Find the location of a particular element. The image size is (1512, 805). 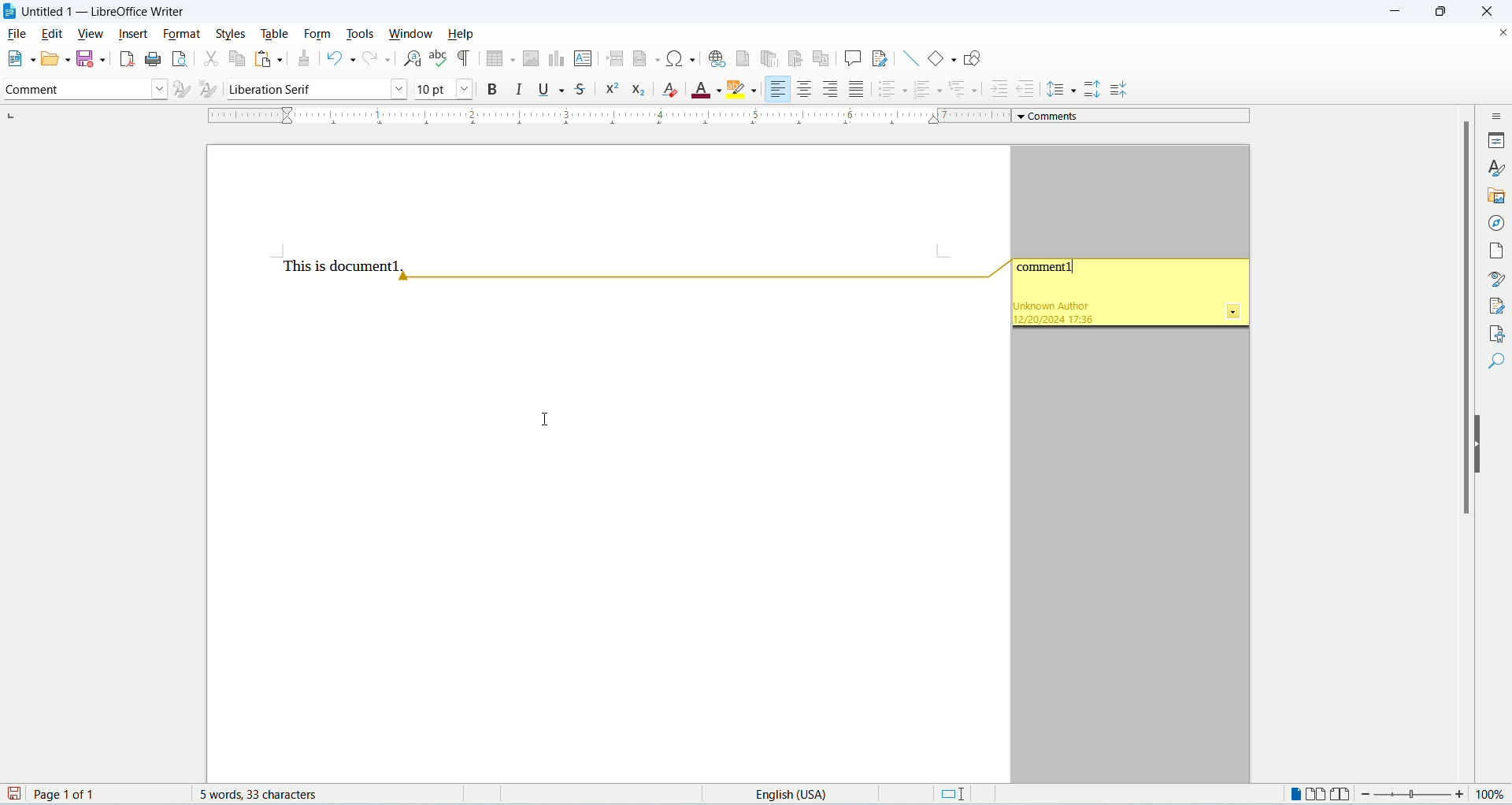

book view is located at coordinates (1340, 793).